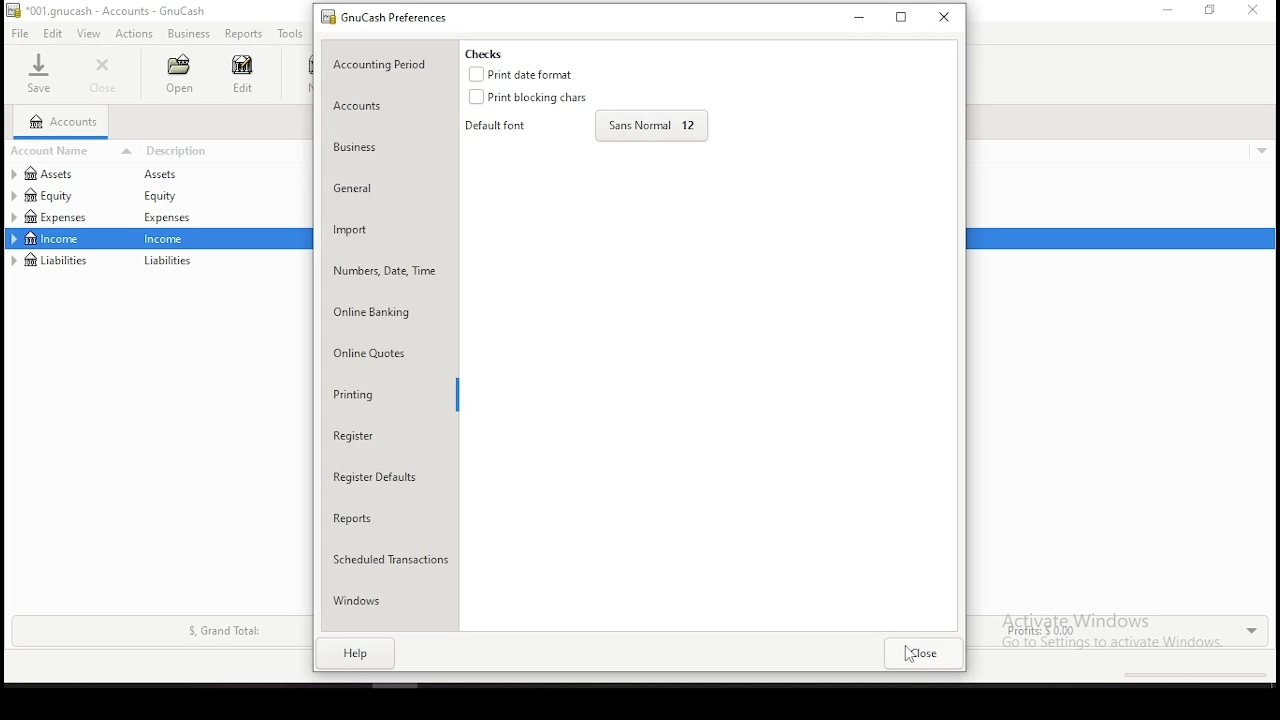 The height and width of the screenshot is (720, 1280). What do you see at coordinates (38, 73) in the screenshot?
I see `save` at bounding box center [38, 73].